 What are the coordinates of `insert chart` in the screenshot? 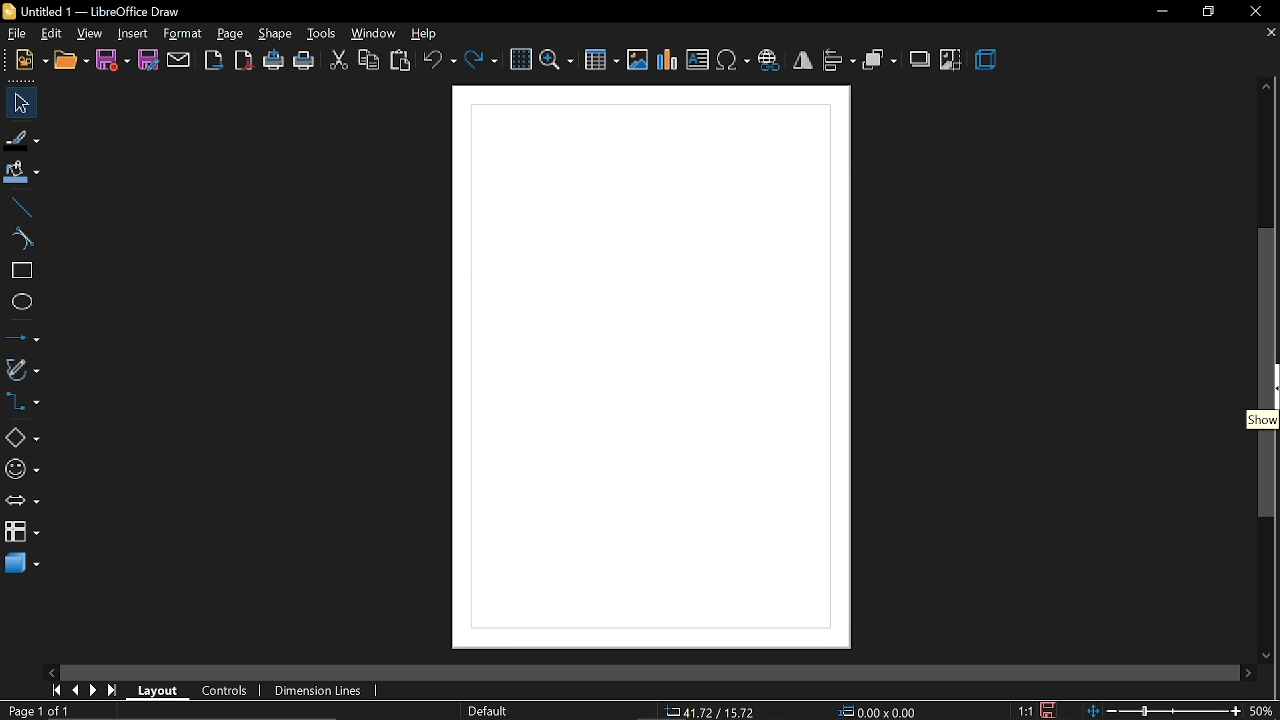 It's located at (668, 60).